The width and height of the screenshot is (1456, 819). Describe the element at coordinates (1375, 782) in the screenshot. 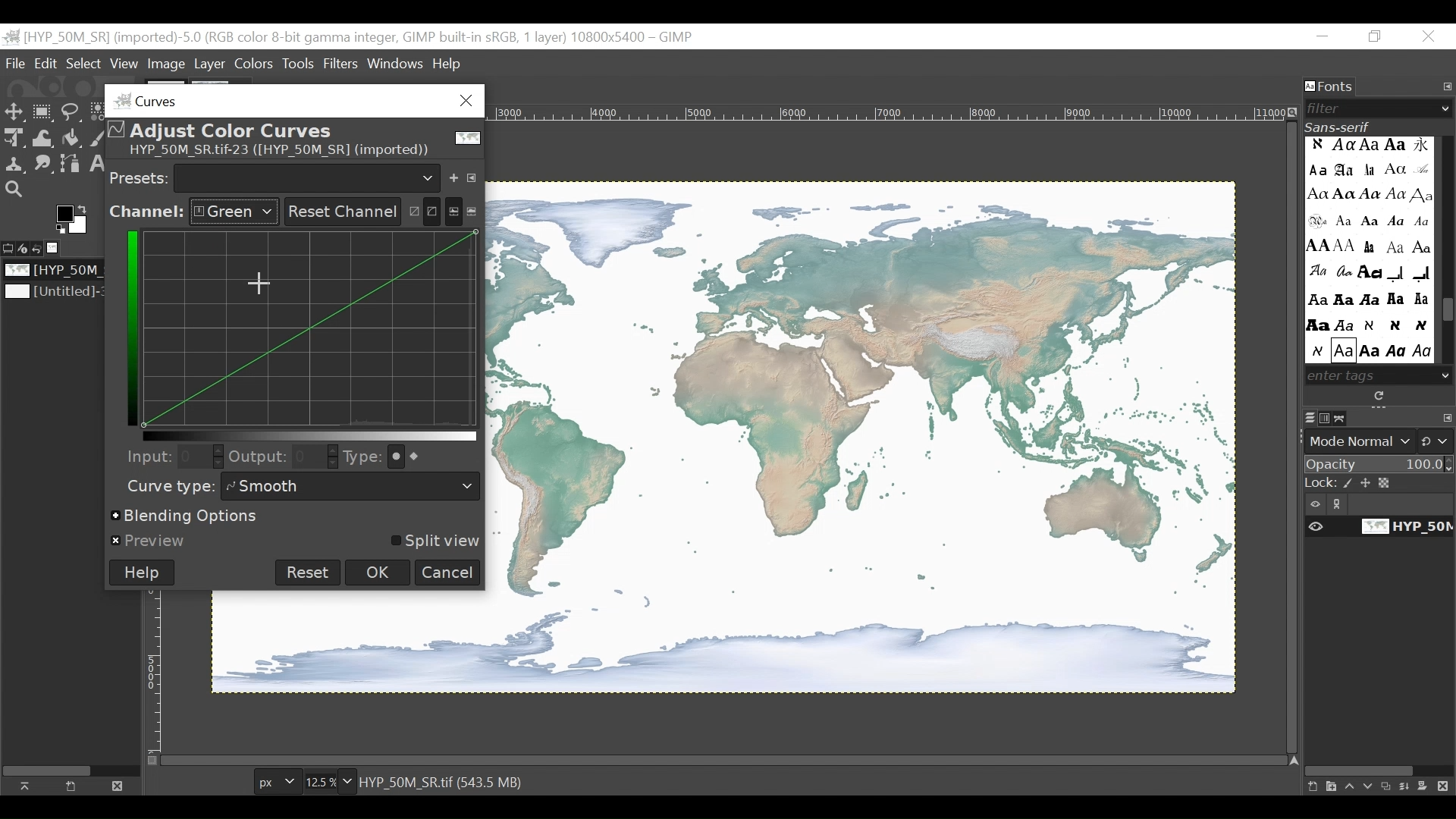

I see `layer panel` at that location.